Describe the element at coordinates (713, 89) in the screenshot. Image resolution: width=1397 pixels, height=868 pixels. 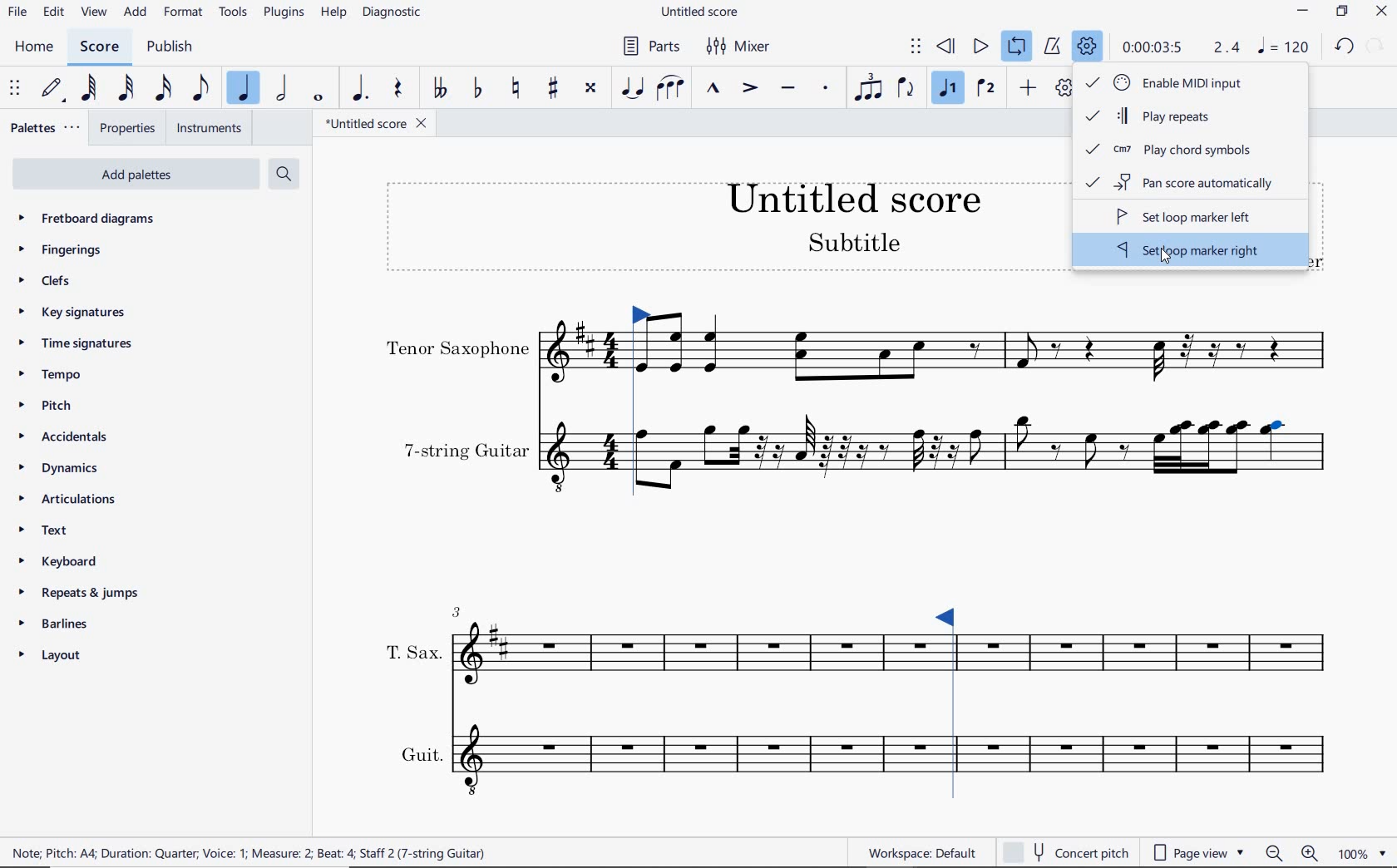
I see `MARCATO` at that location.